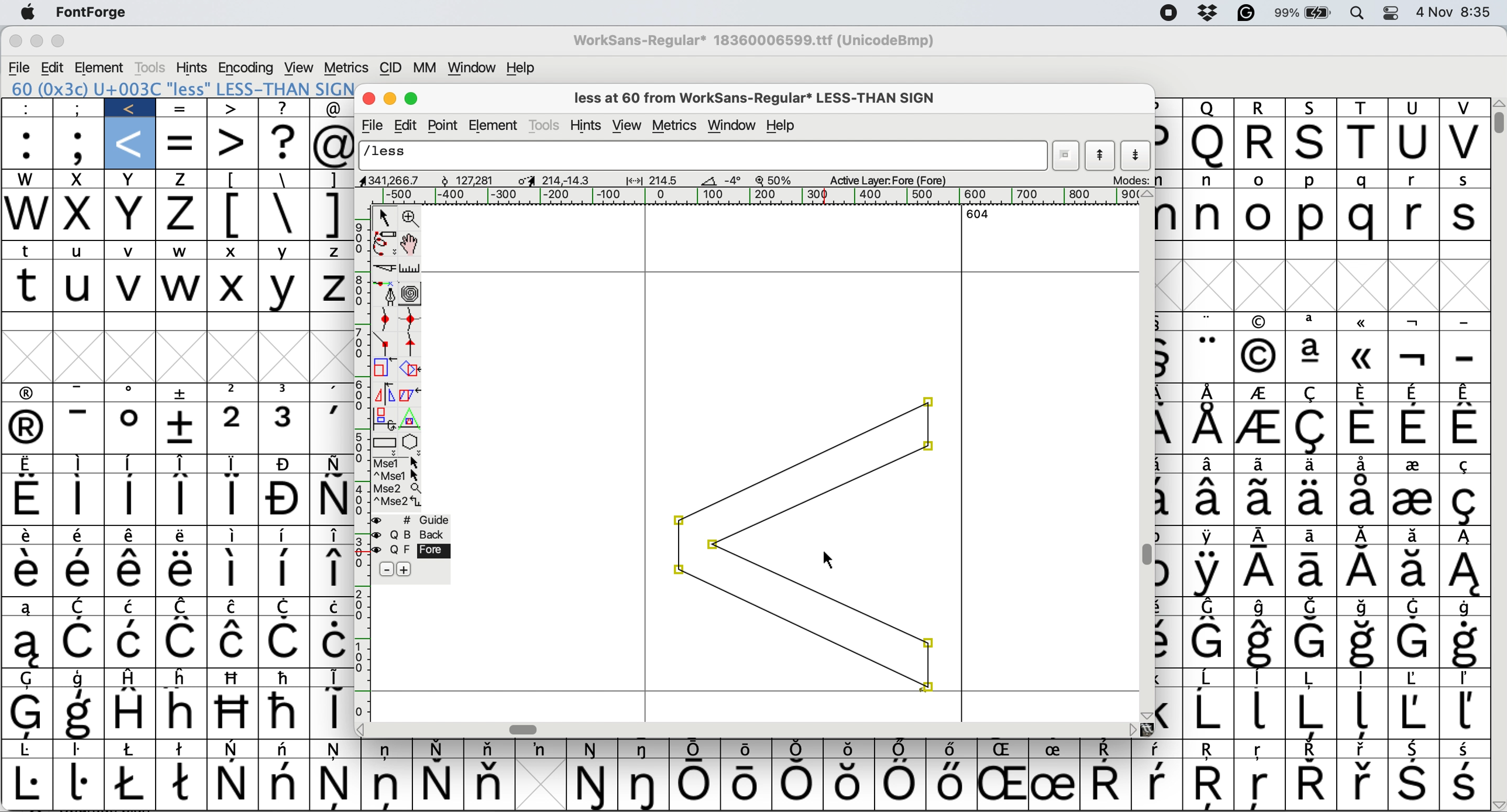  What do you see at coordinates (1305, 751) in the screenshot?
I see `Symbol` at bounding box center [1305, 751].